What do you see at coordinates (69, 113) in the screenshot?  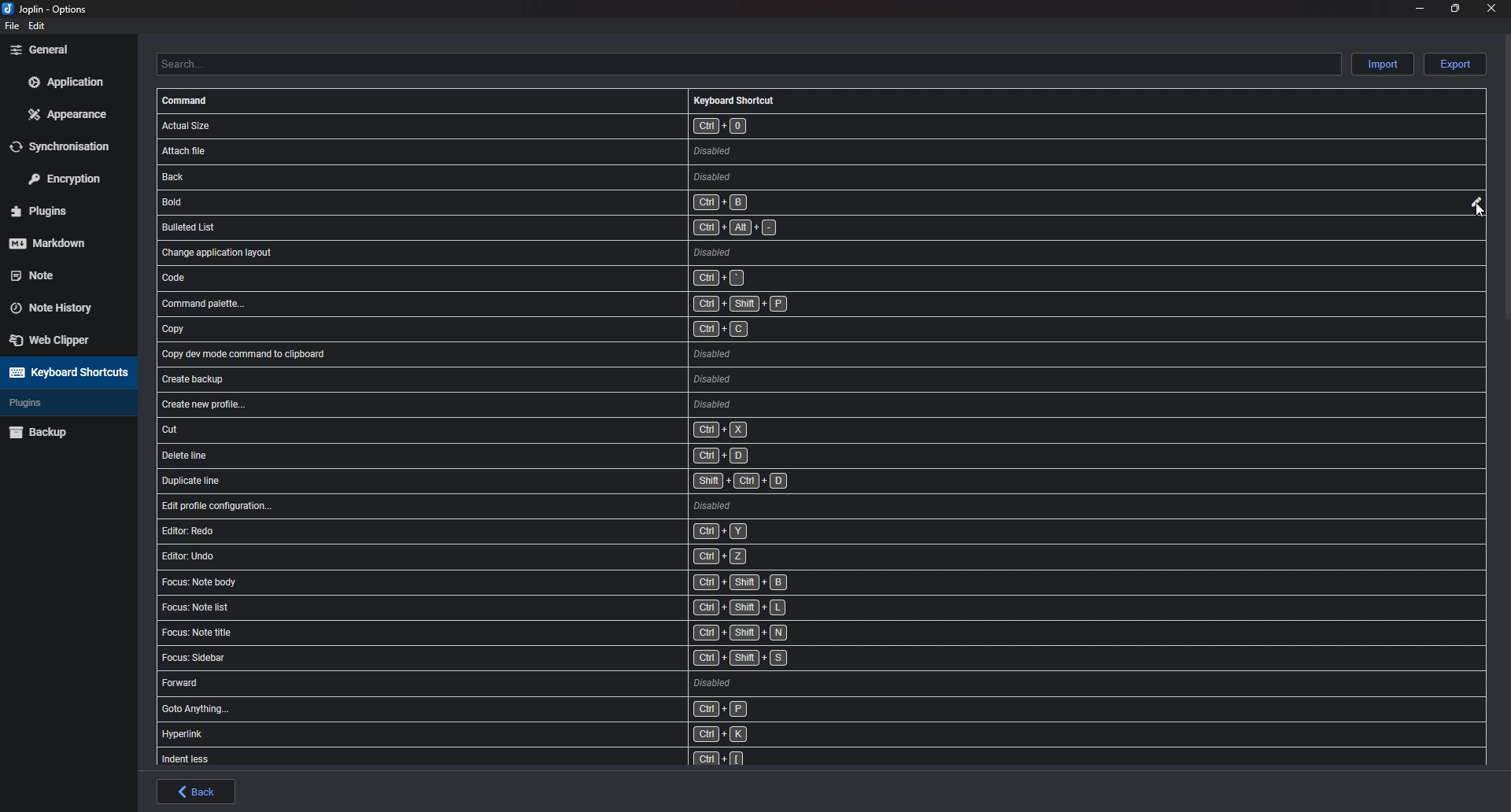 I see `Appearance` at bounding box center [69, 113].